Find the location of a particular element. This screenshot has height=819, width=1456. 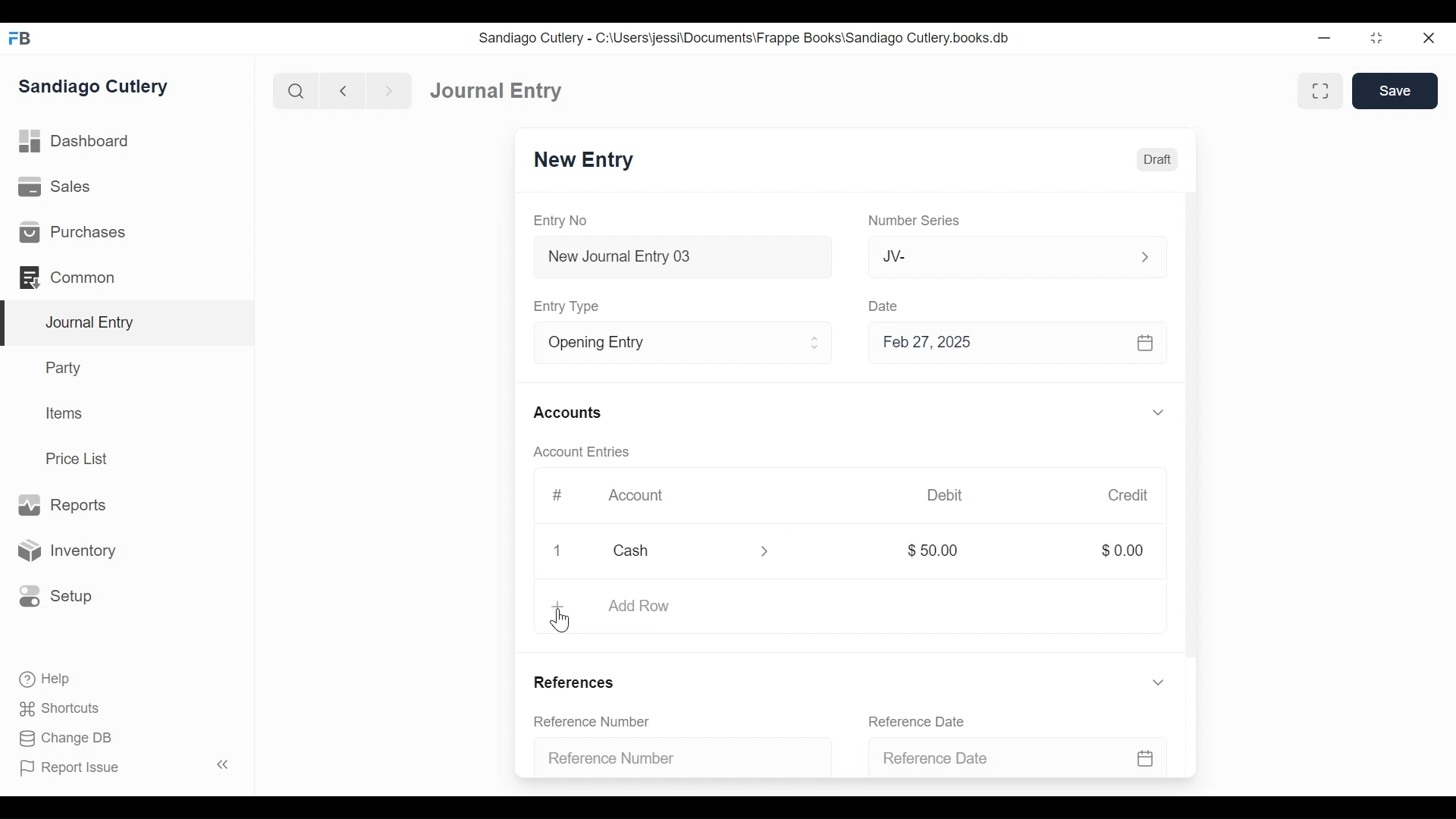

Entry Type is located at coordinates (663, 343).